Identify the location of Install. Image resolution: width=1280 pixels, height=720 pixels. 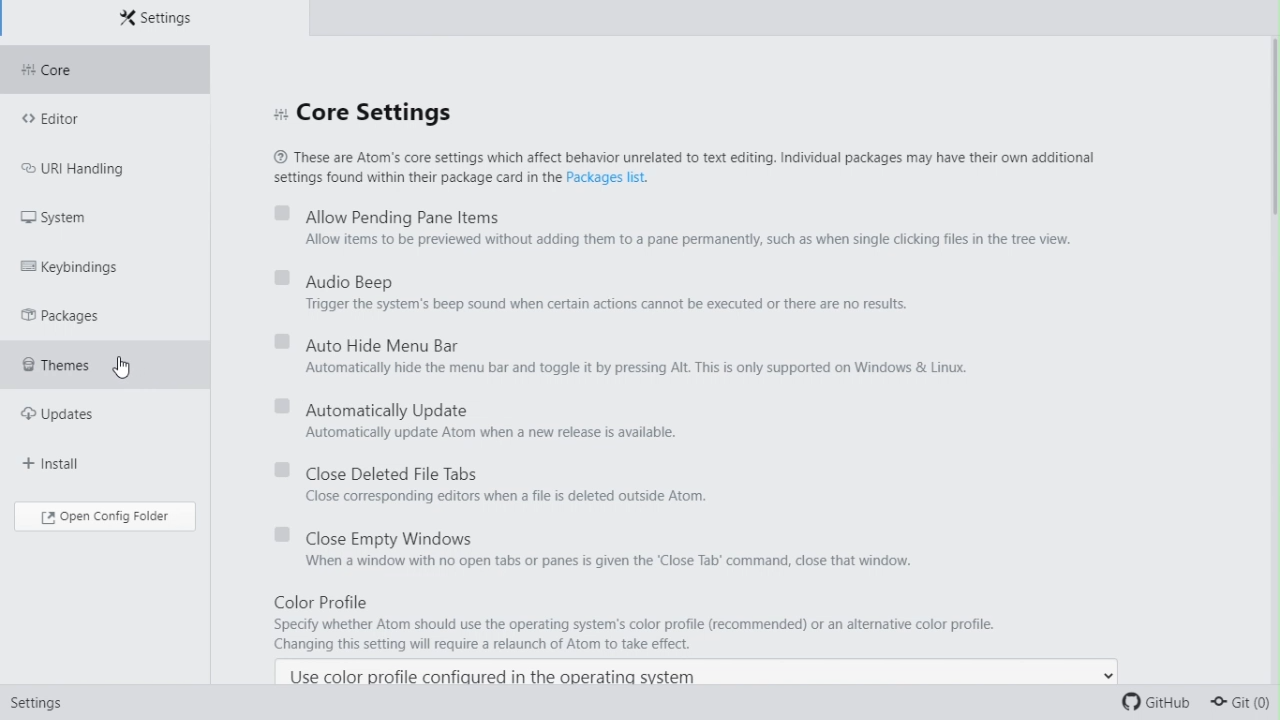
(68, 463).